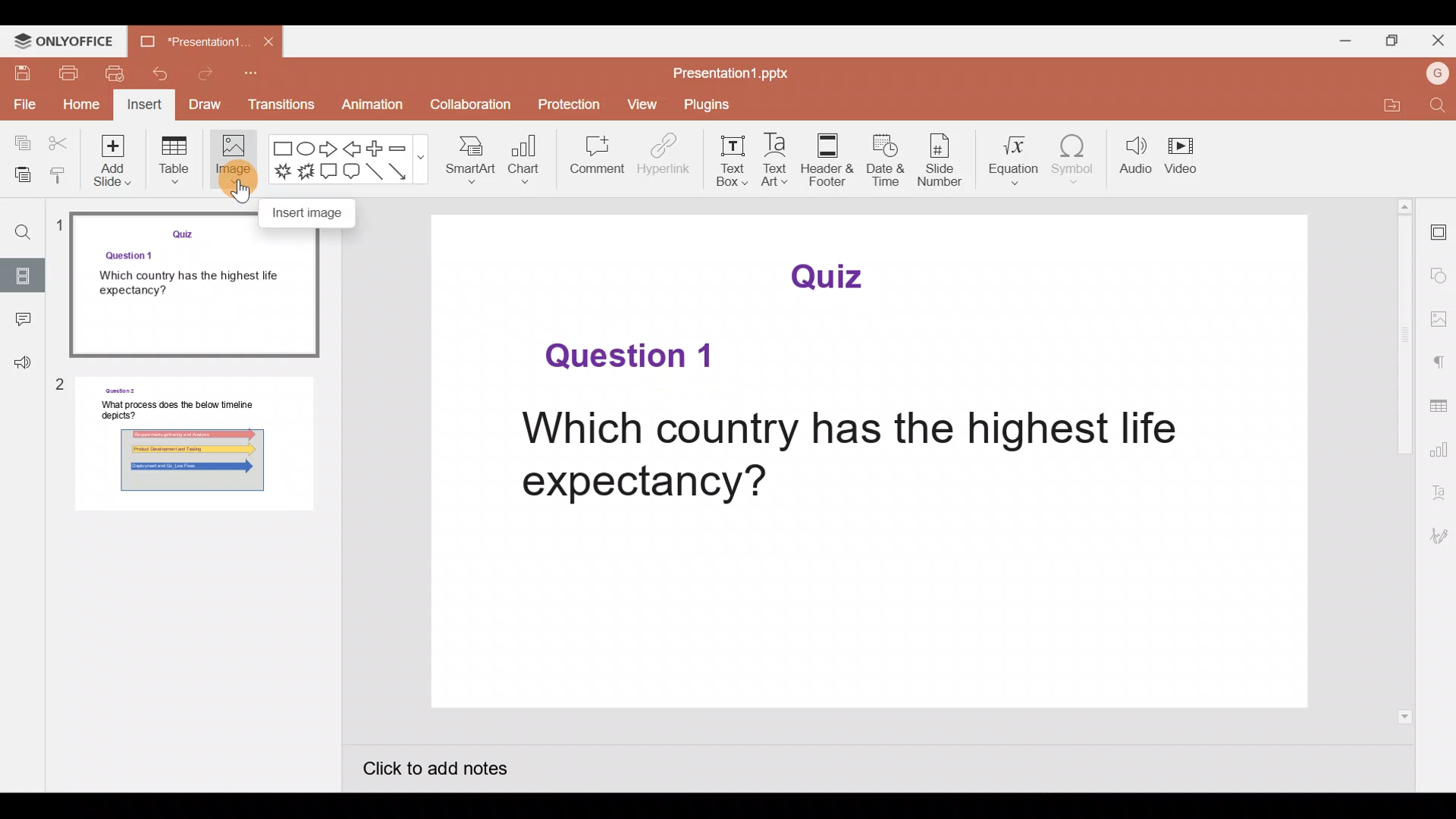 The height and width of the screenshot is (819, 1456). I want to click on Close document, so click(268, 42).